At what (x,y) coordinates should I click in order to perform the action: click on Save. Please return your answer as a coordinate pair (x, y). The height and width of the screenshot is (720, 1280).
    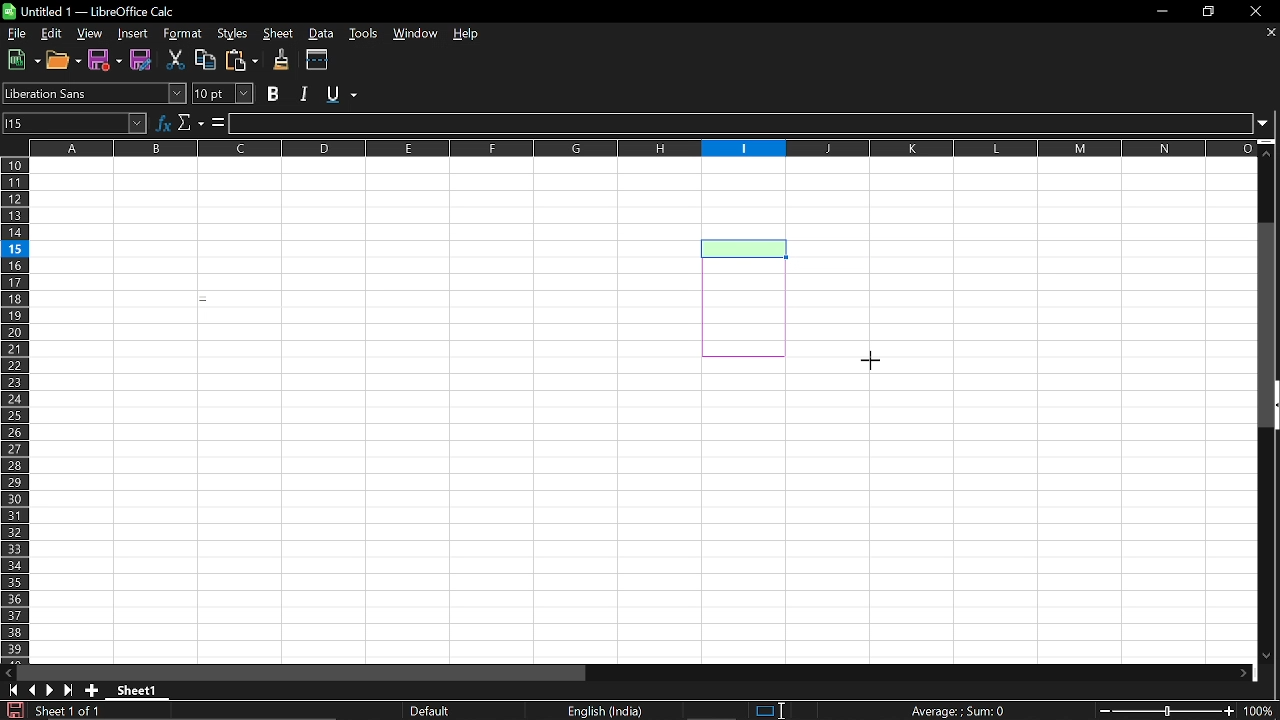
    Looking at the image, I should click on (12, 711).